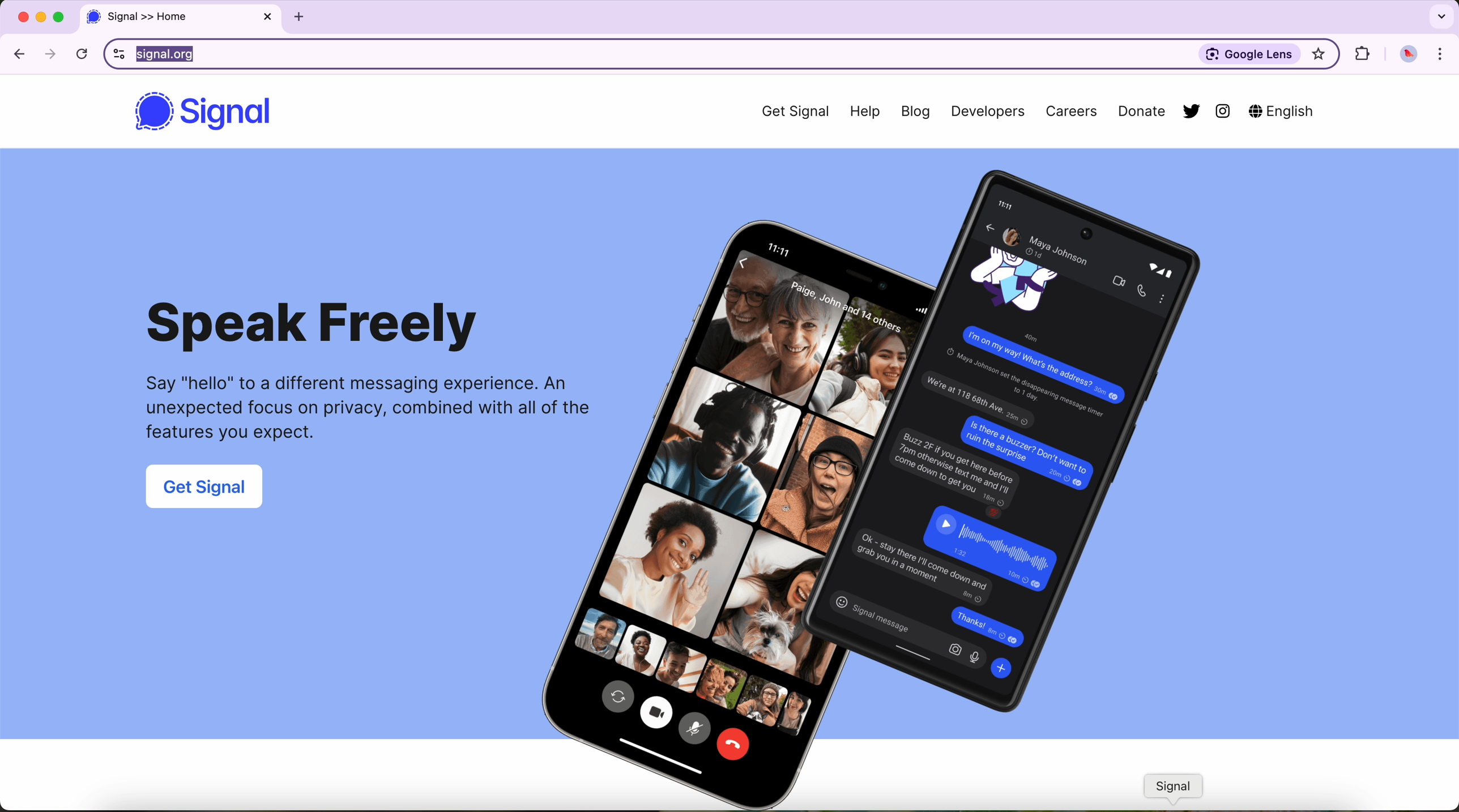  Describe the element at coordinates (1441, 54) in the screenshot. I see `customize and control Google Chrome` at that location.